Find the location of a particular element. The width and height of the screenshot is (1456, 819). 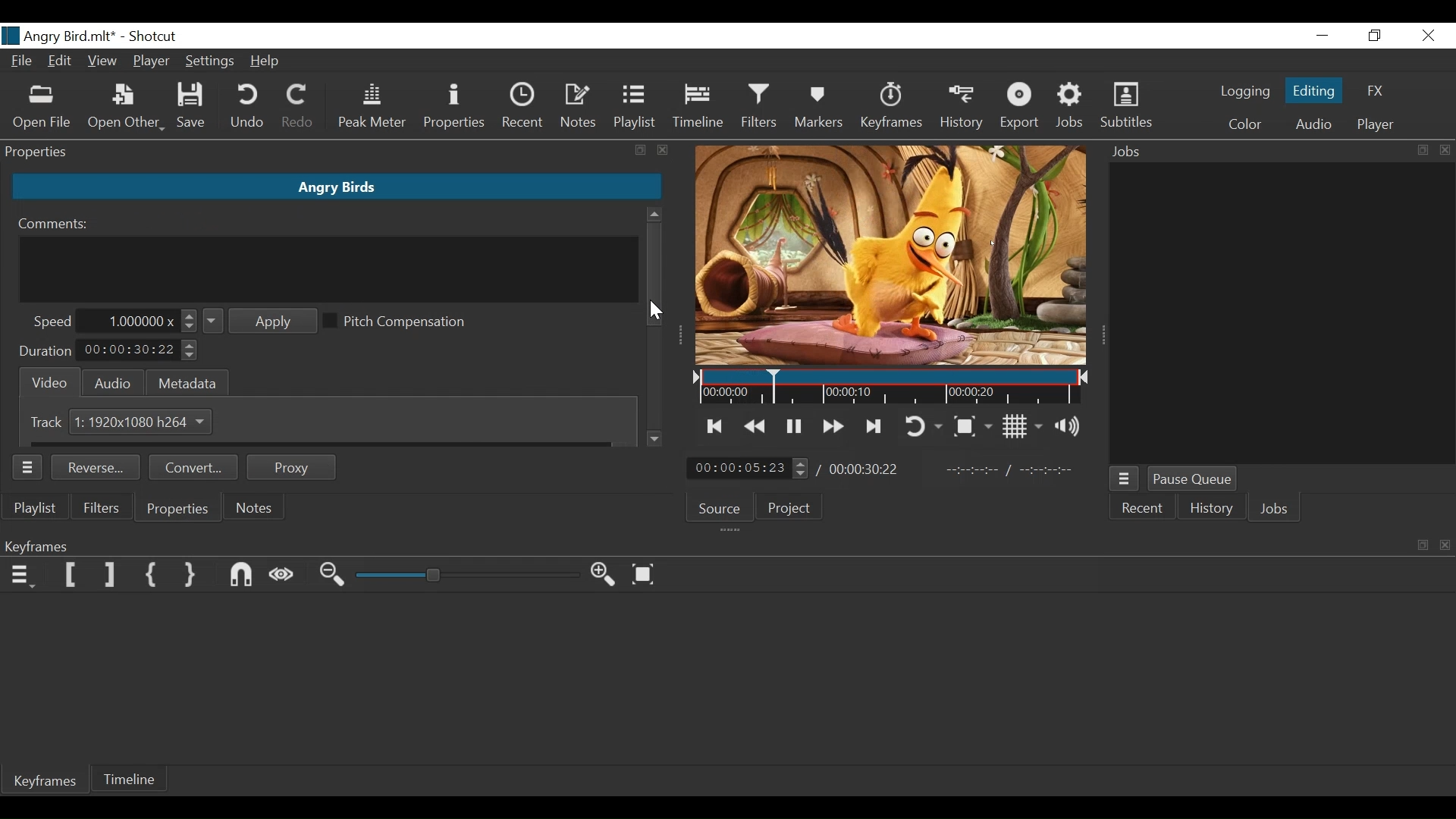

Player is located at coordinates (151, 61).